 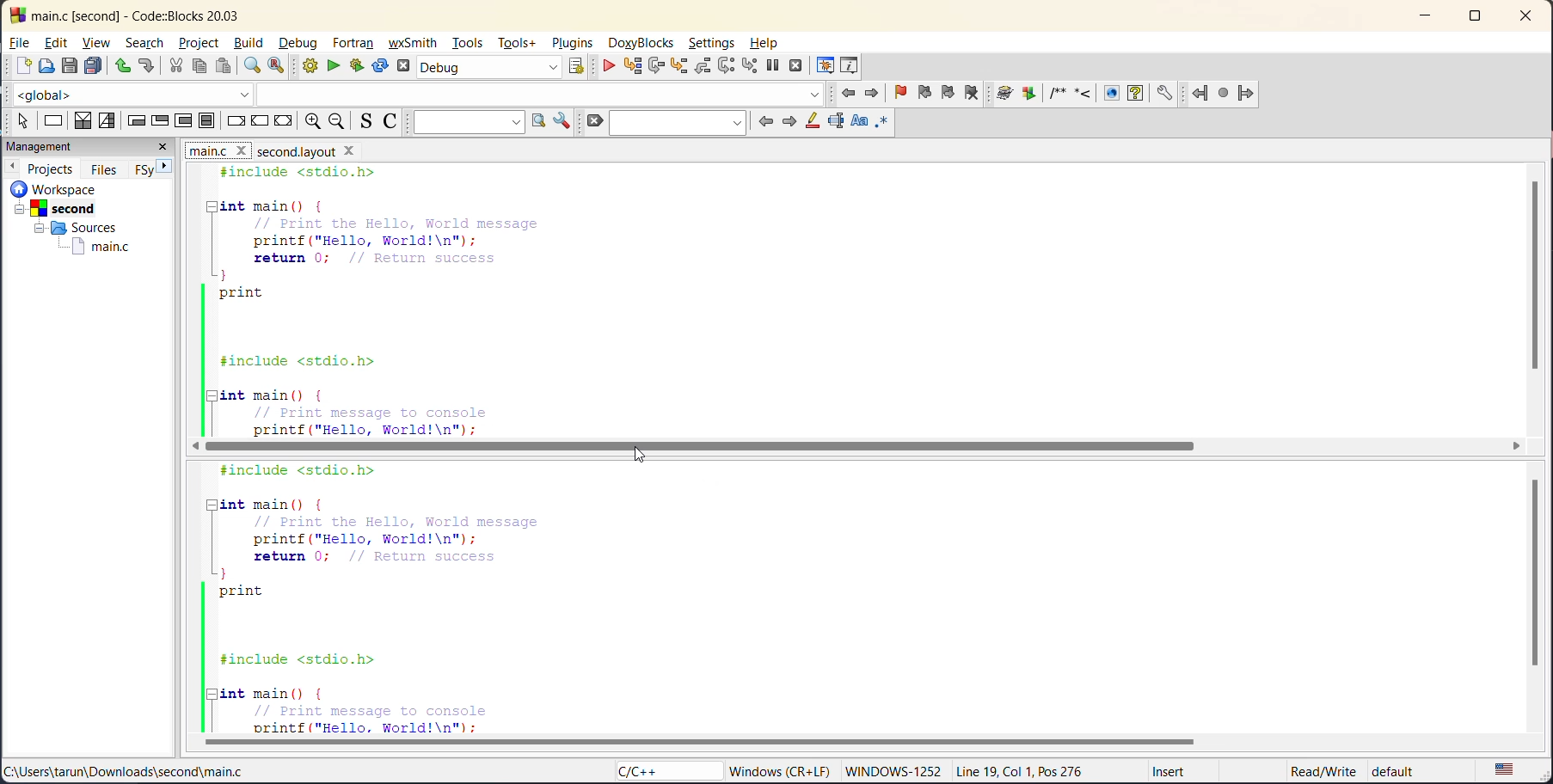 What do you see at coordinates (67, 65) in the screenshot?
I see `save` at bounding box center [67, 65].